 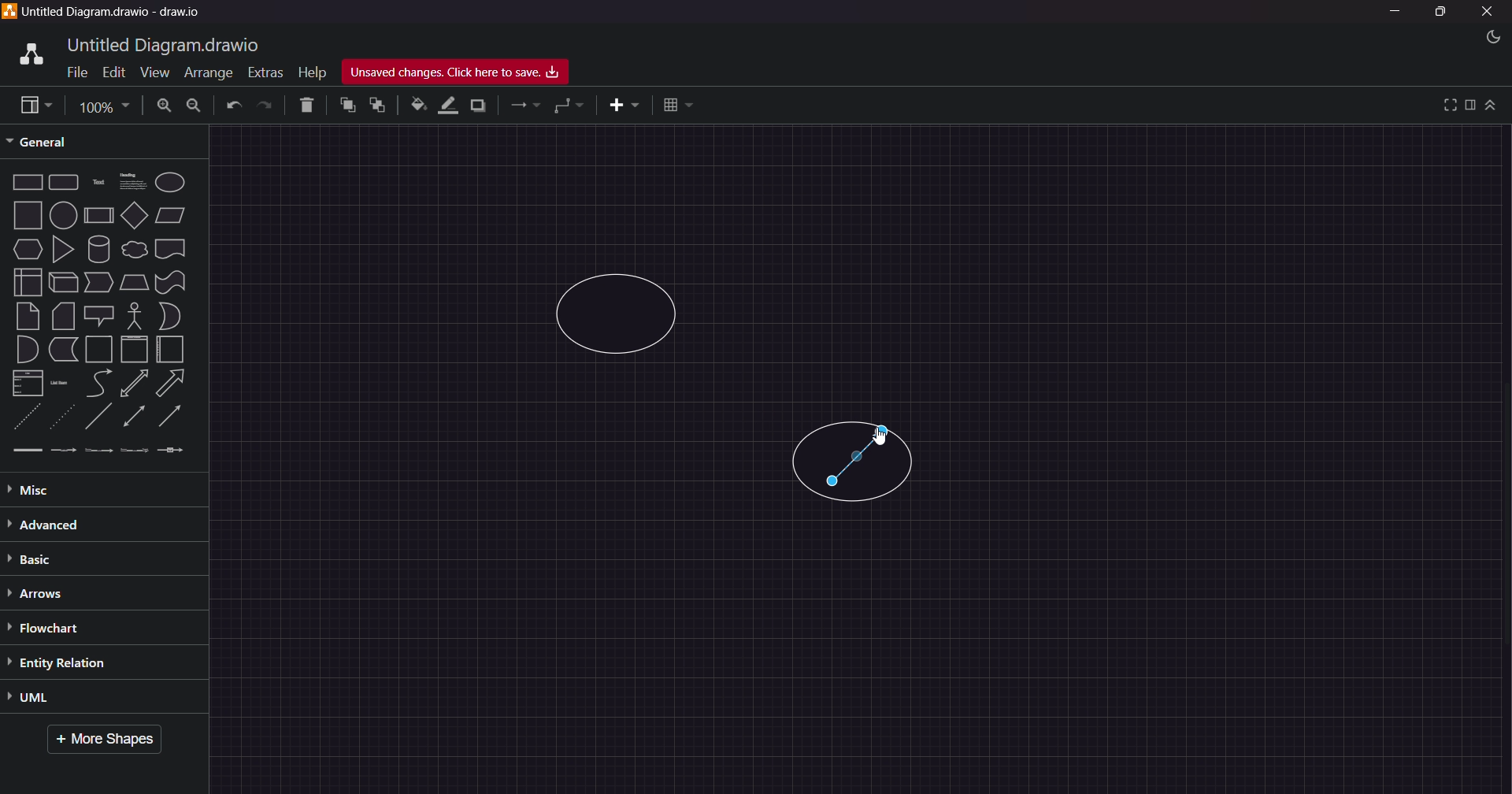 What do you see at coordinates (1447, 104) in the screenshot?
I see `view full screen` at bounding box center [1447, 104].